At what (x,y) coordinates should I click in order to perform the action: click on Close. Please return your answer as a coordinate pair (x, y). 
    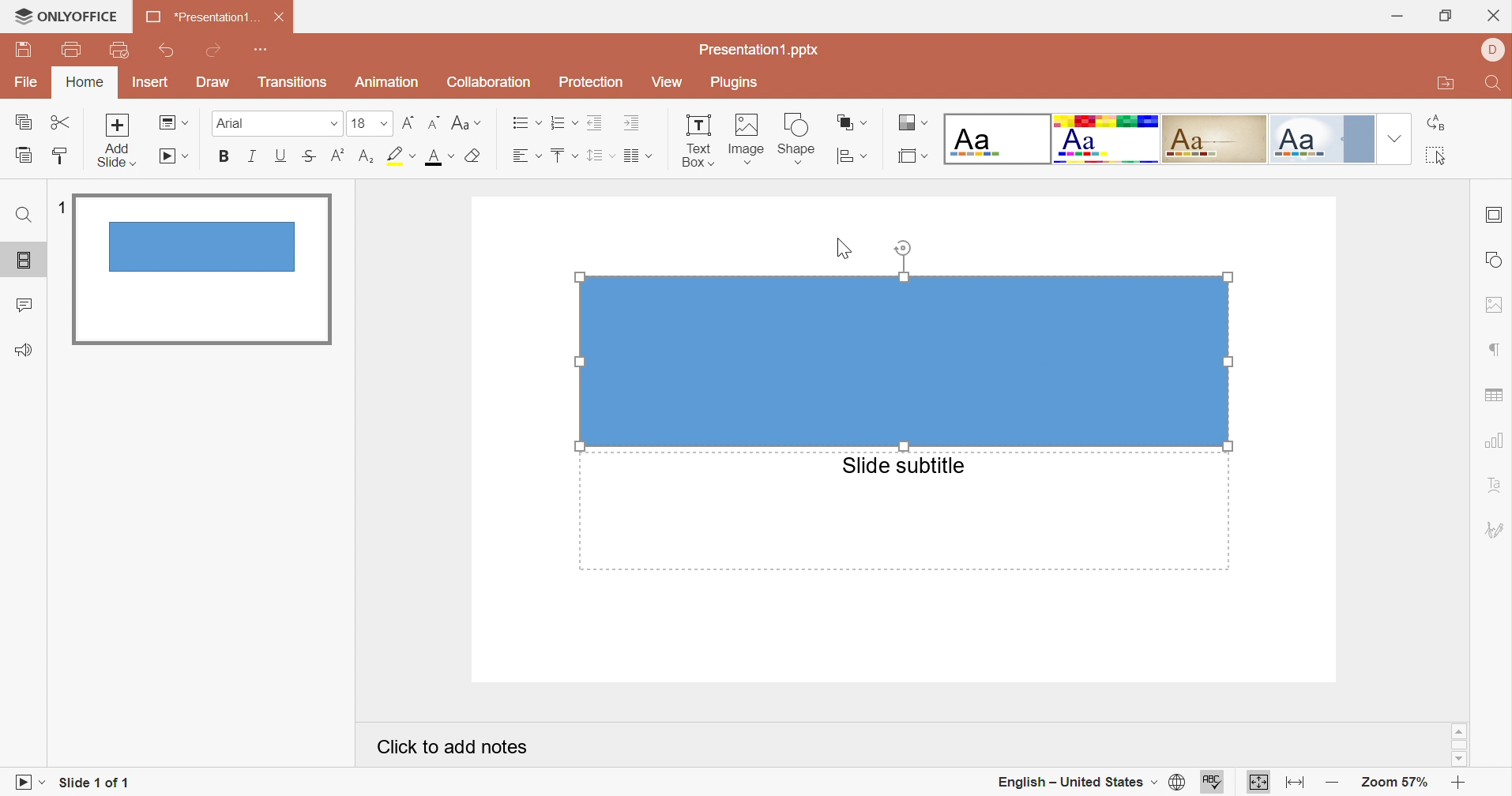
    Looking at the image, I should click on (280, 17).